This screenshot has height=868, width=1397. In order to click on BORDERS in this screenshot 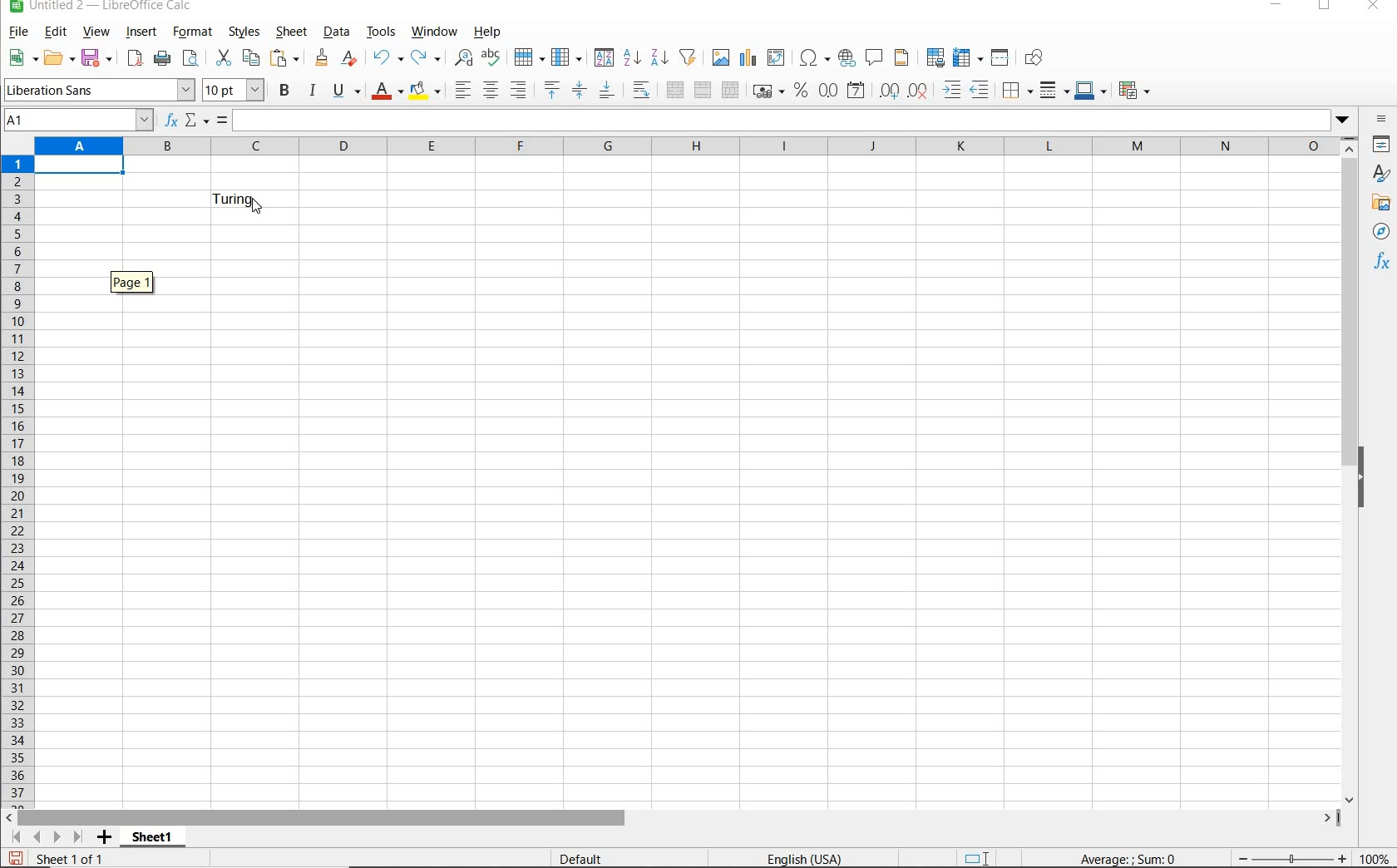, I will do `click(1017, 91)`.